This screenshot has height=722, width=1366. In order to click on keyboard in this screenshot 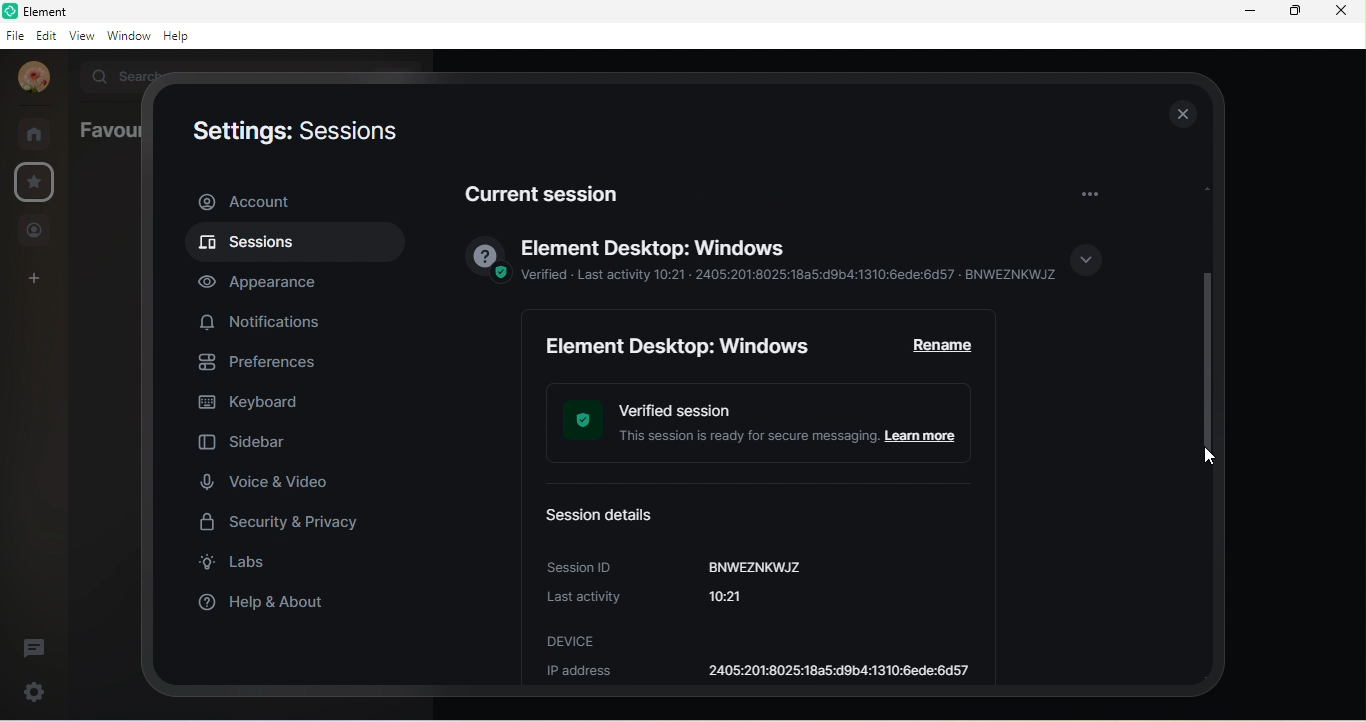, I will do `click(255, 405)`.